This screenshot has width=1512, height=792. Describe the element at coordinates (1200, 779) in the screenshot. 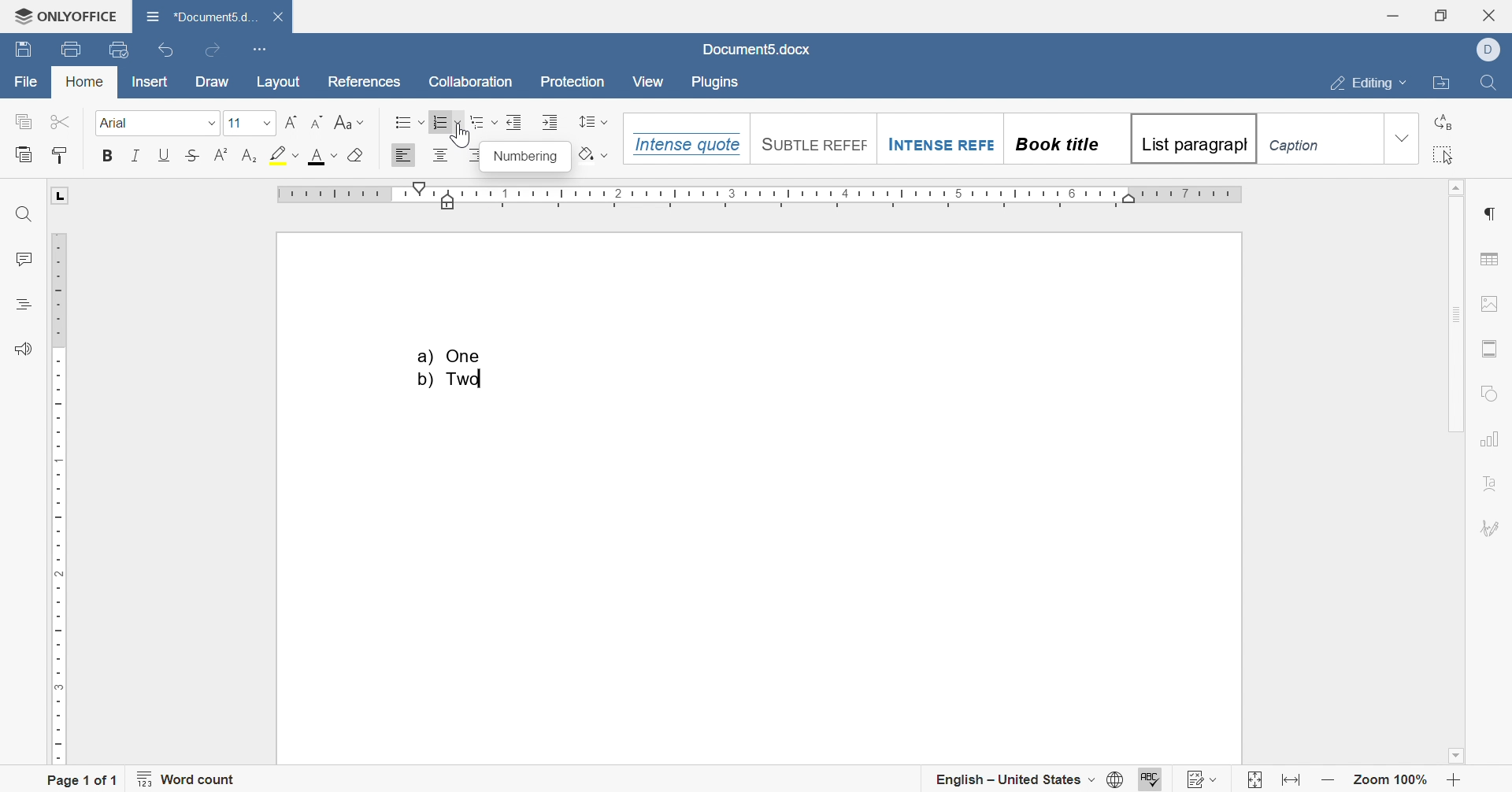

I see `track changes` at that location.